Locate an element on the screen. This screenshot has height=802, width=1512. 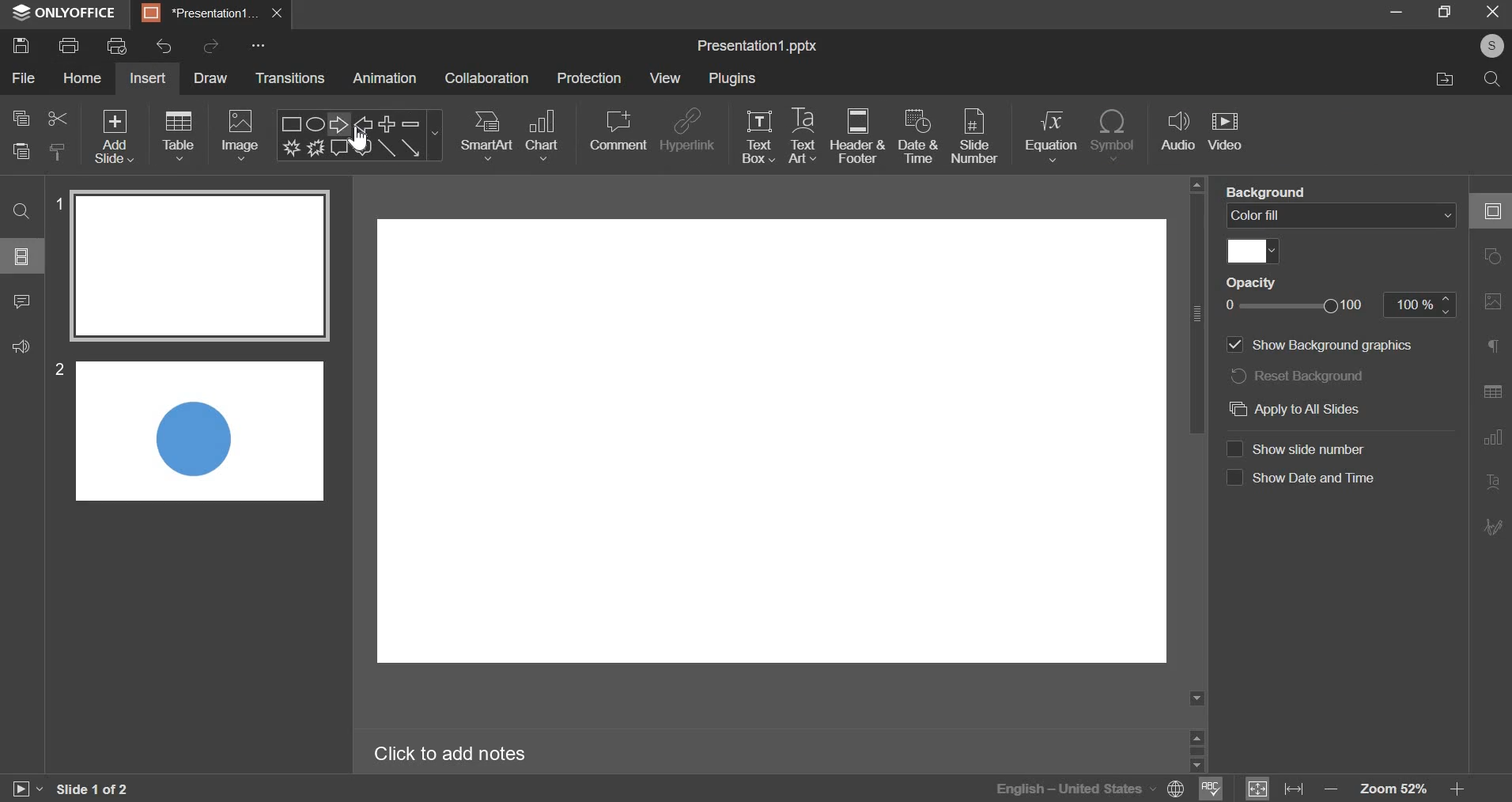
Text Art settings is located at coordinates (1495, 480).